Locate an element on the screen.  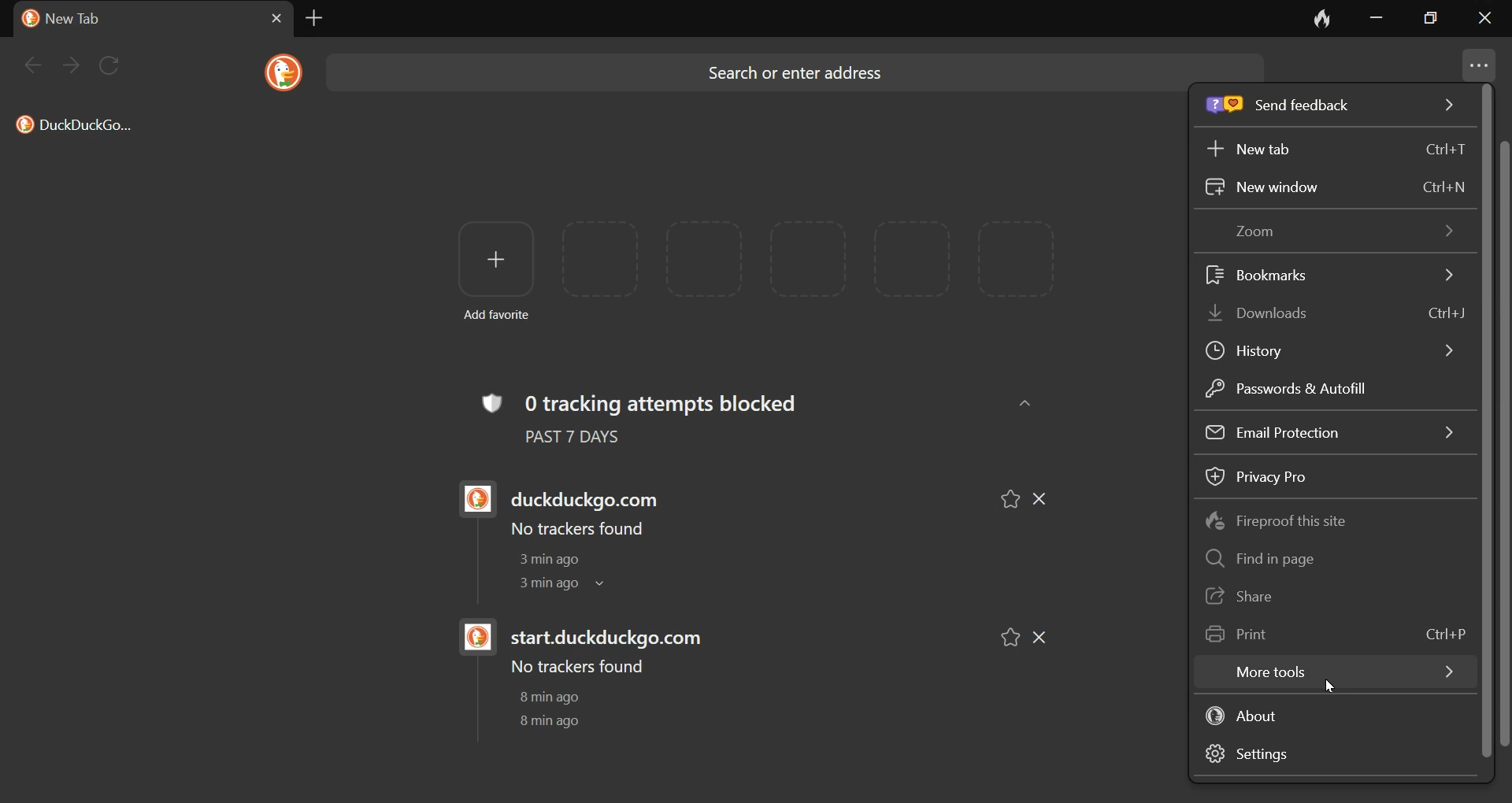
Fireproof this site is located at coordinates (1277, 524).